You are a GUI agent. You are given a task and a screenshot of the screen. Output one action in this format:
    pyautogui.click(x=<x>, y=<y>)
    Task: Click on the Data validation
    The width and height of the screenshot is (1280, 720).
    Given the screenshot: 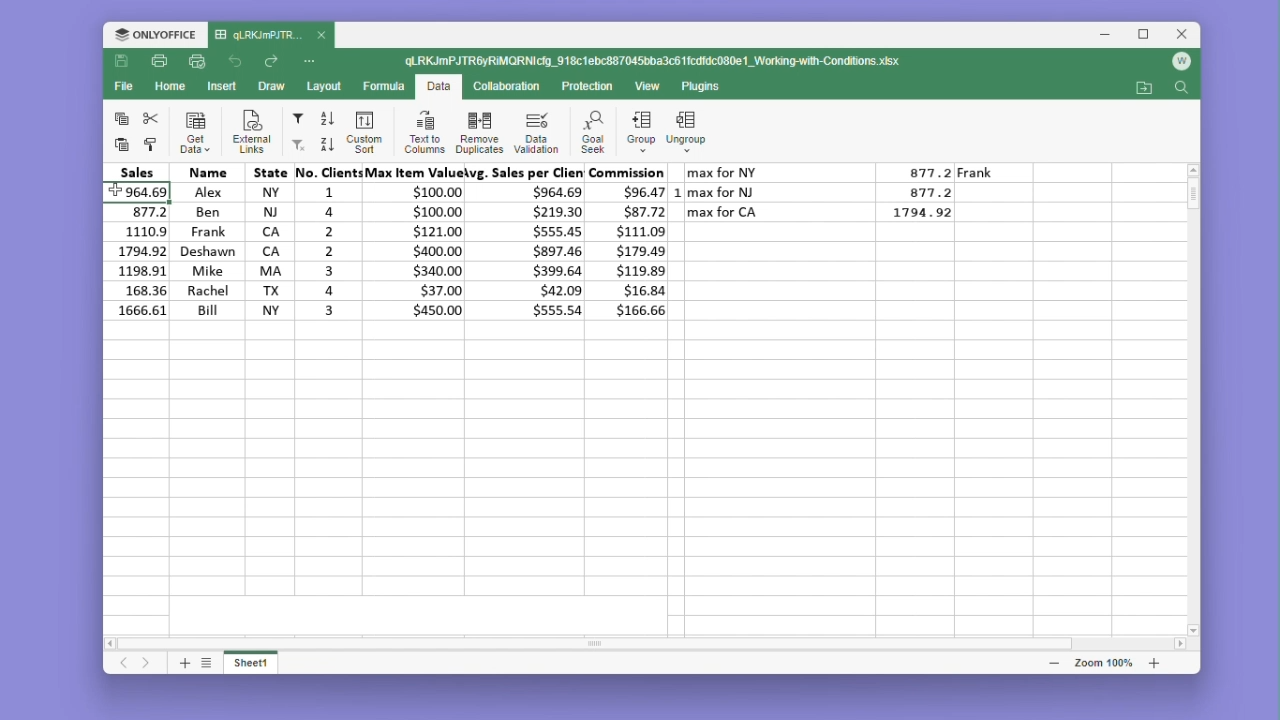 What is the action you would take?
    pyautogui.click(x=536, y=132)
    